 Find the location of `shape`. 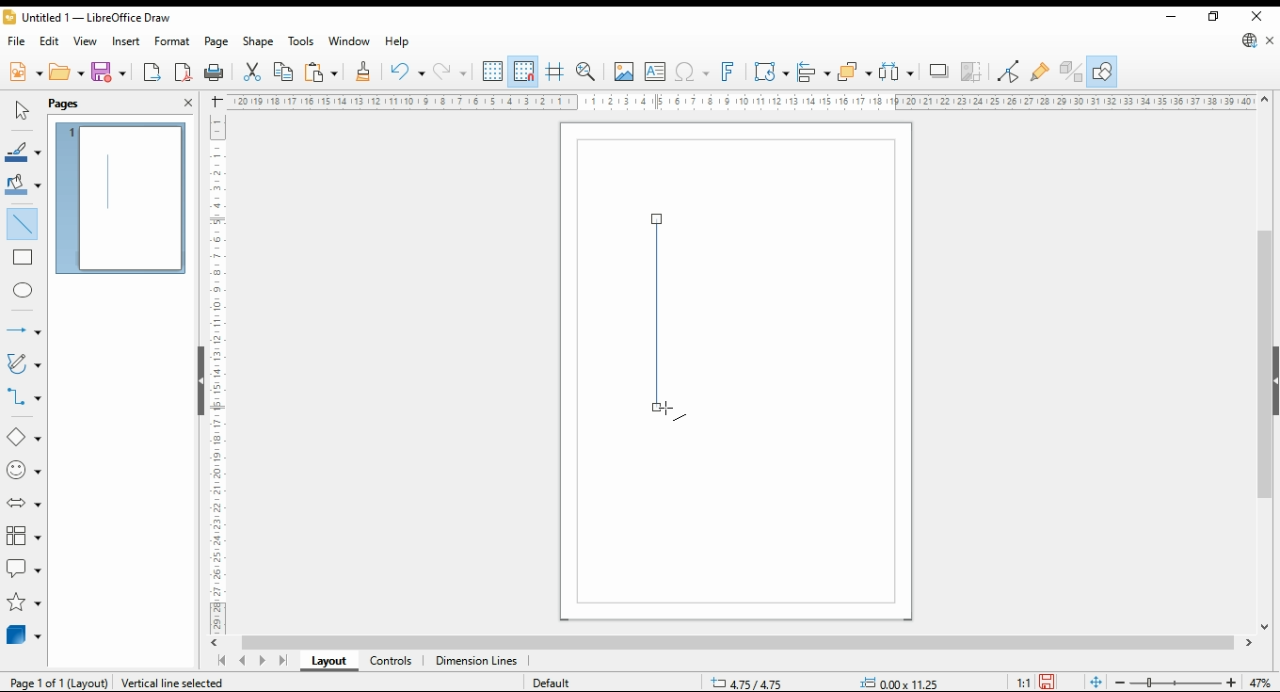

shape is located at coordinates (259, 43).